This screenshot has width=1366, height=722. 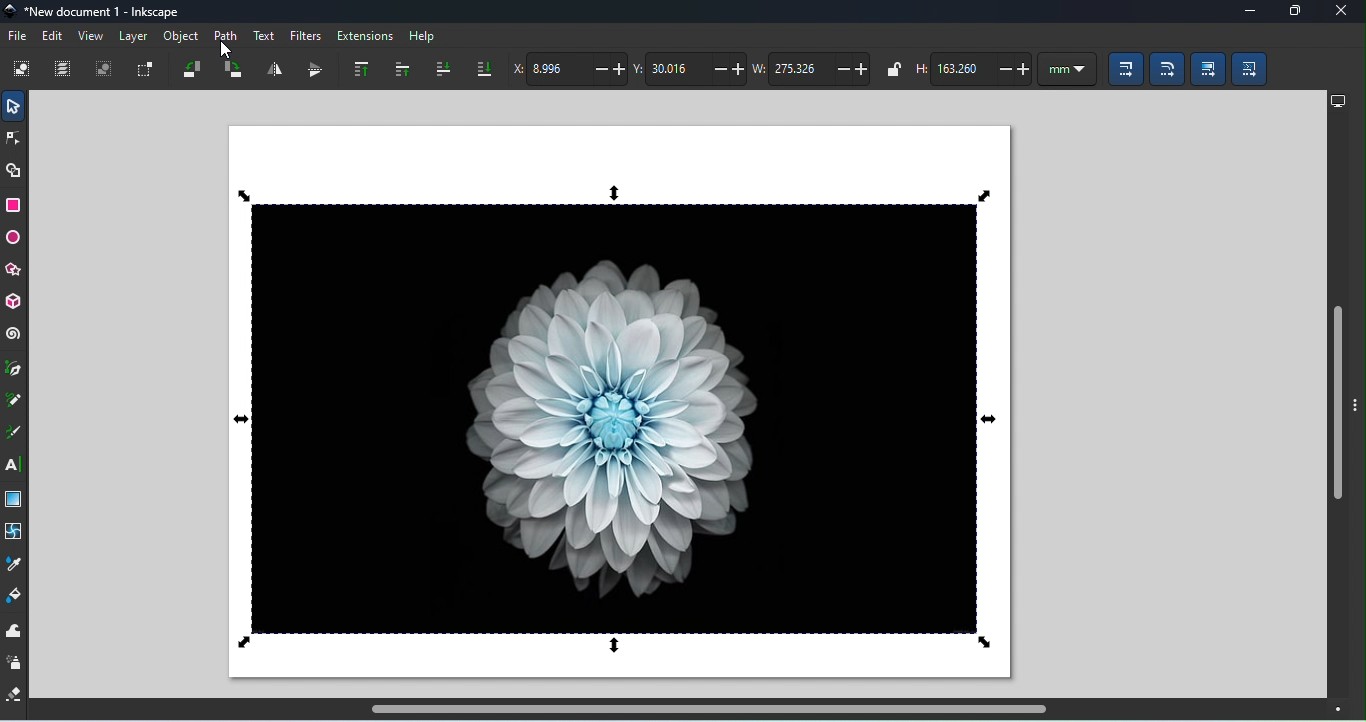 I want to click on Width of the selection, so click(x=815, y=70).